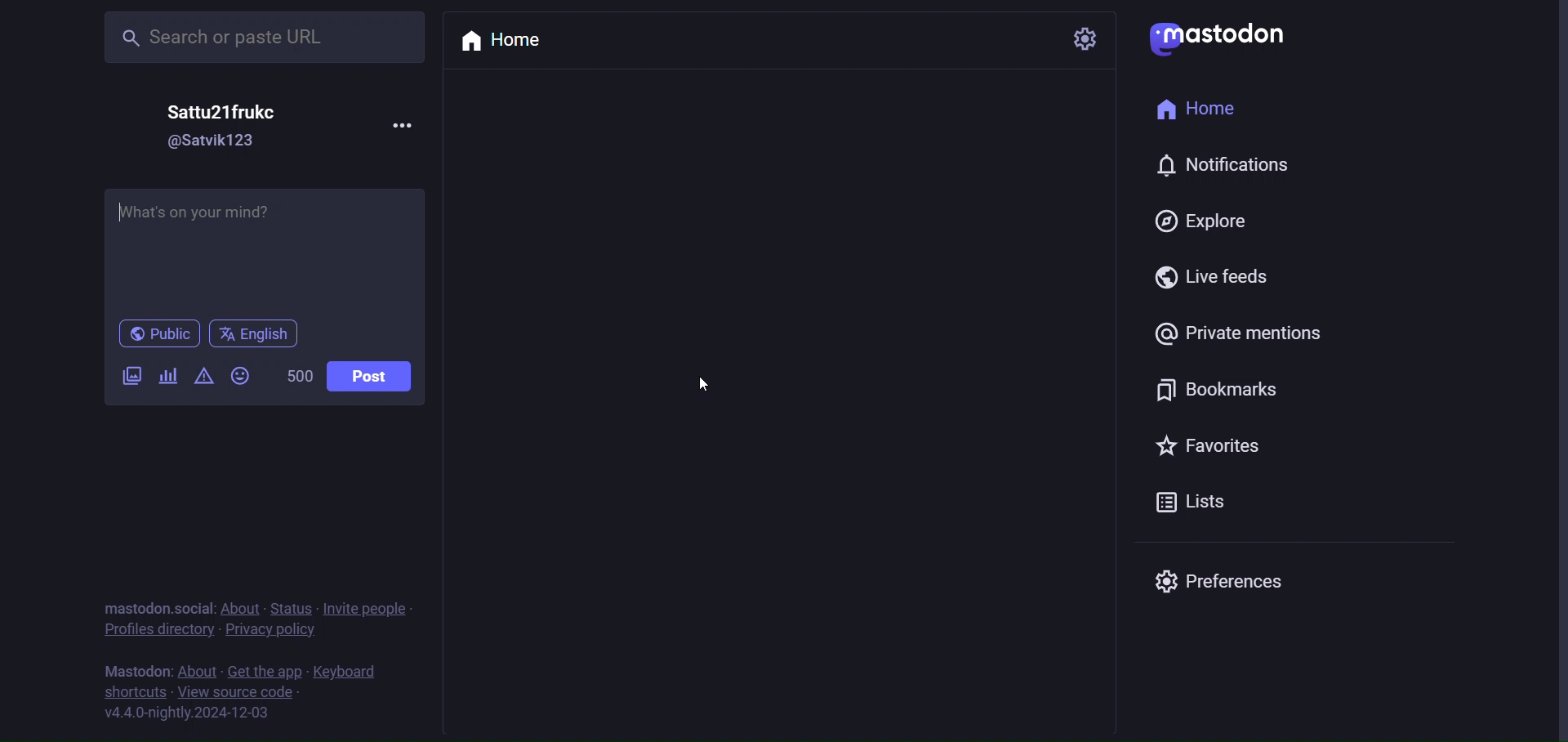  I want to click on image/videos, so click(131, 377).